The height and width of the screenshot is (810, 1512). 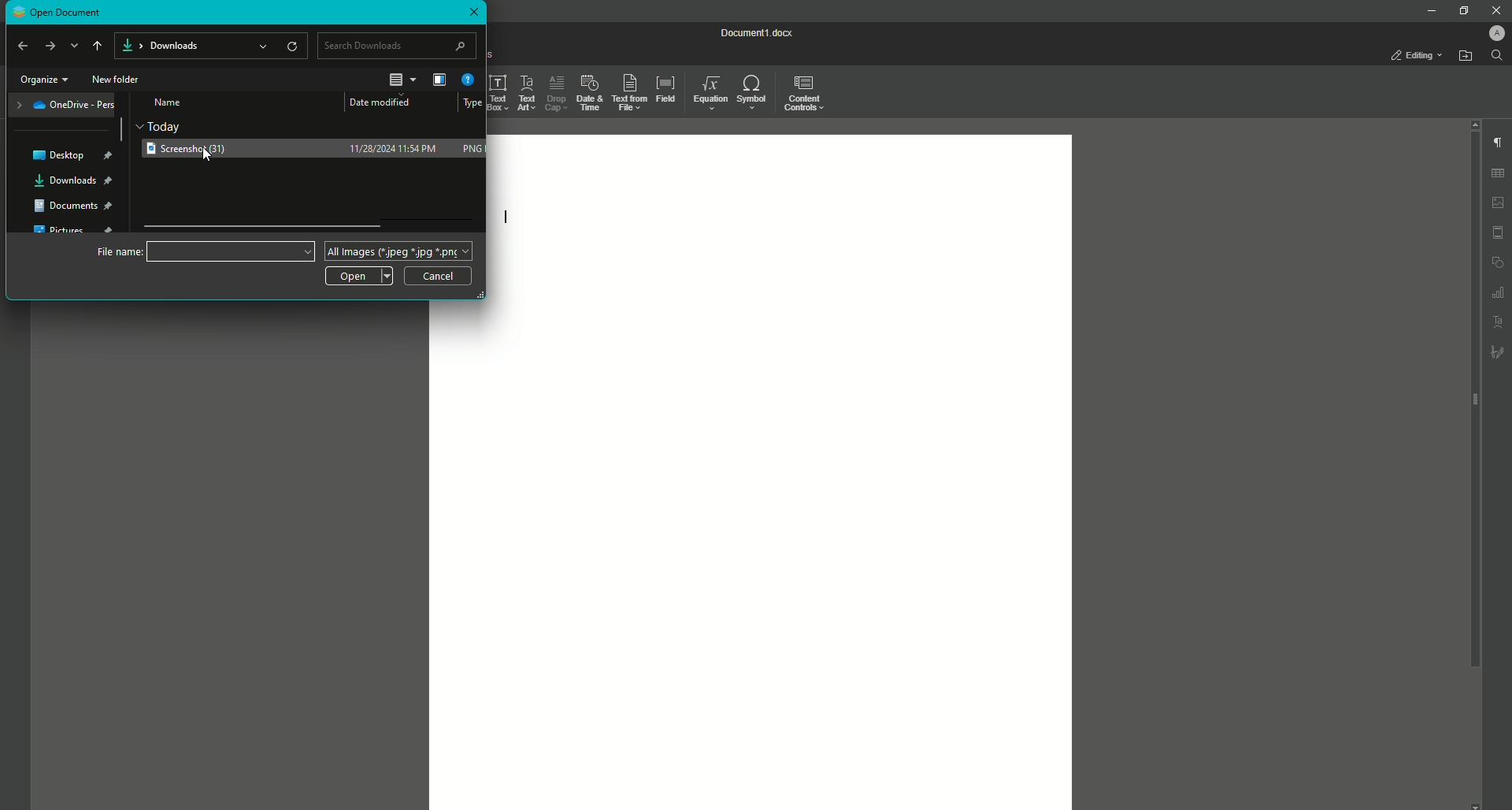 I want to click on Downloads, so click(x=72, y=182).